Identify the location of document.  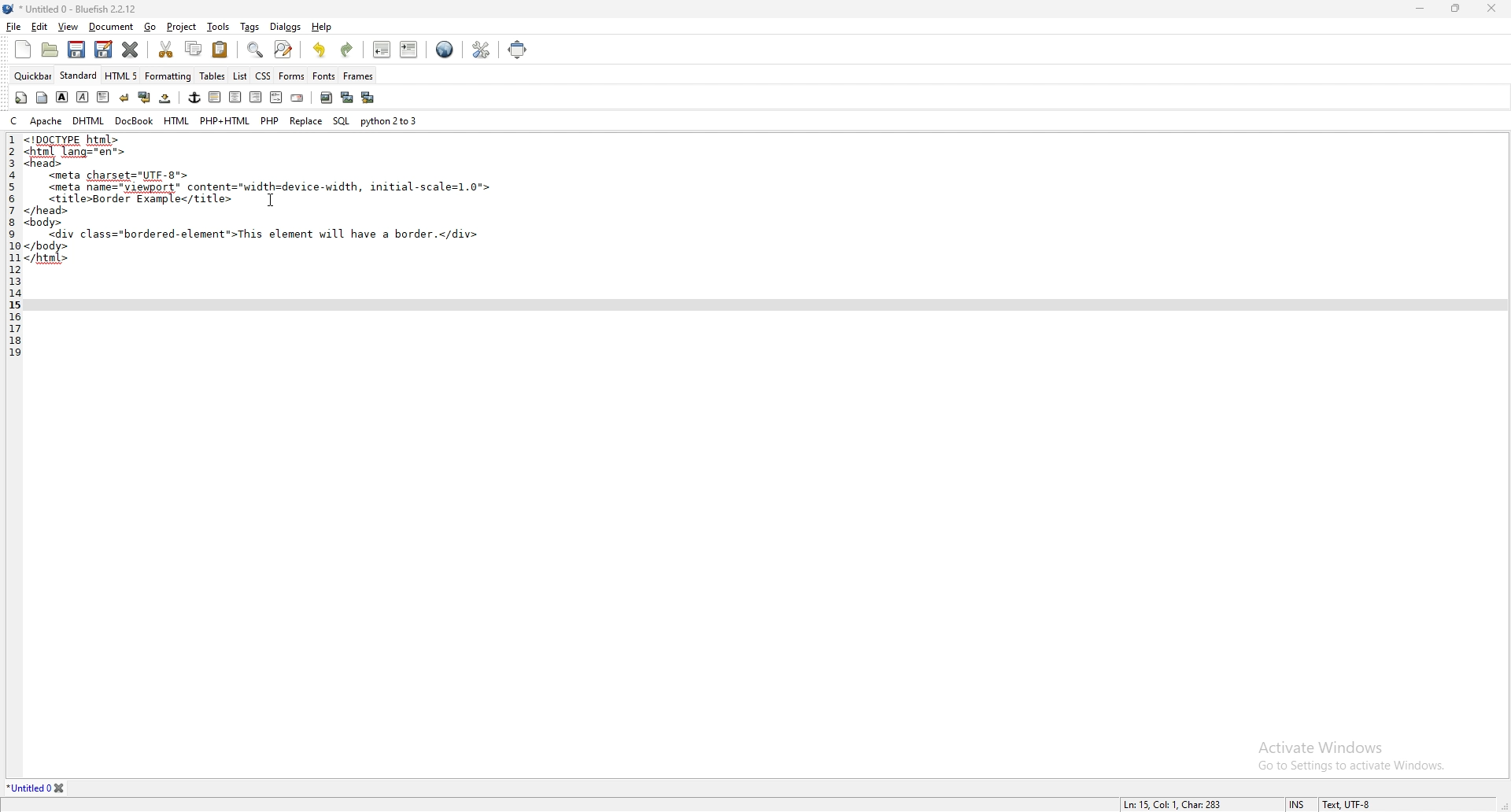
(111, 28).